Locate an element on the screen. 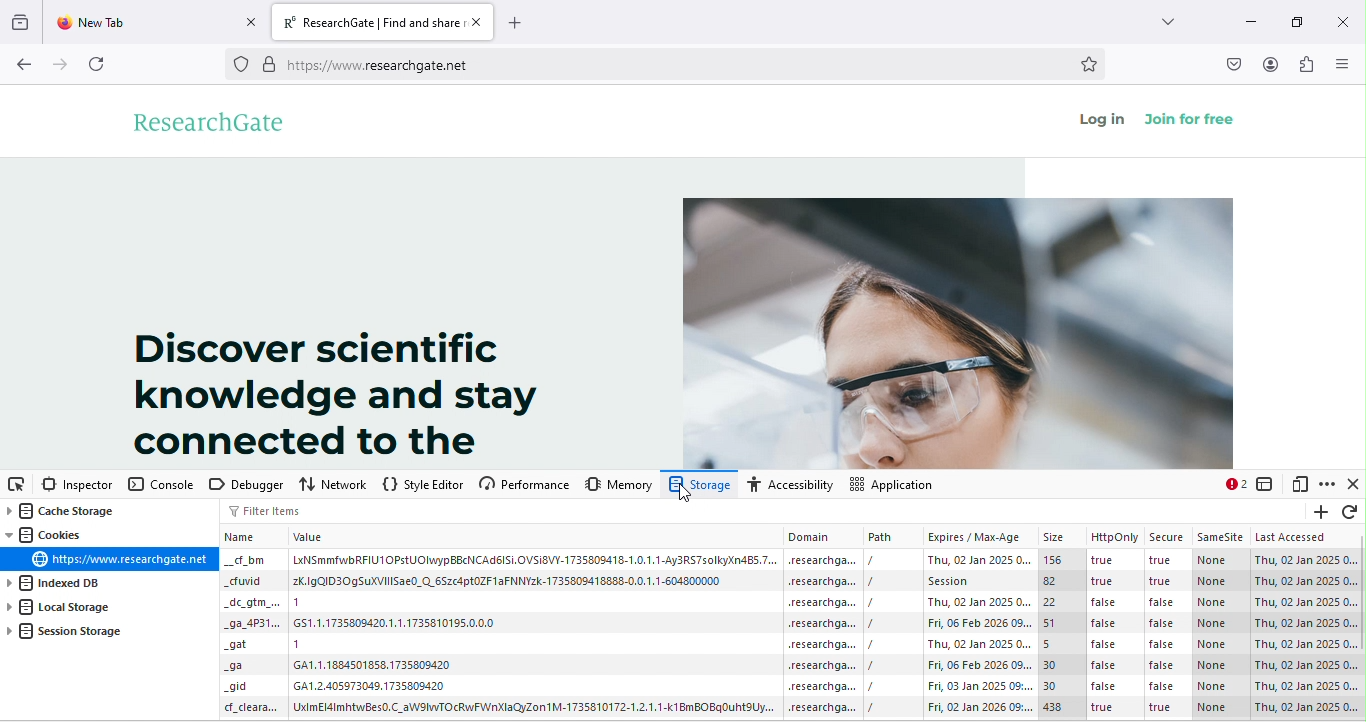 This screenshot has height=722, width=1366. / is located at coordinates (872, 561).